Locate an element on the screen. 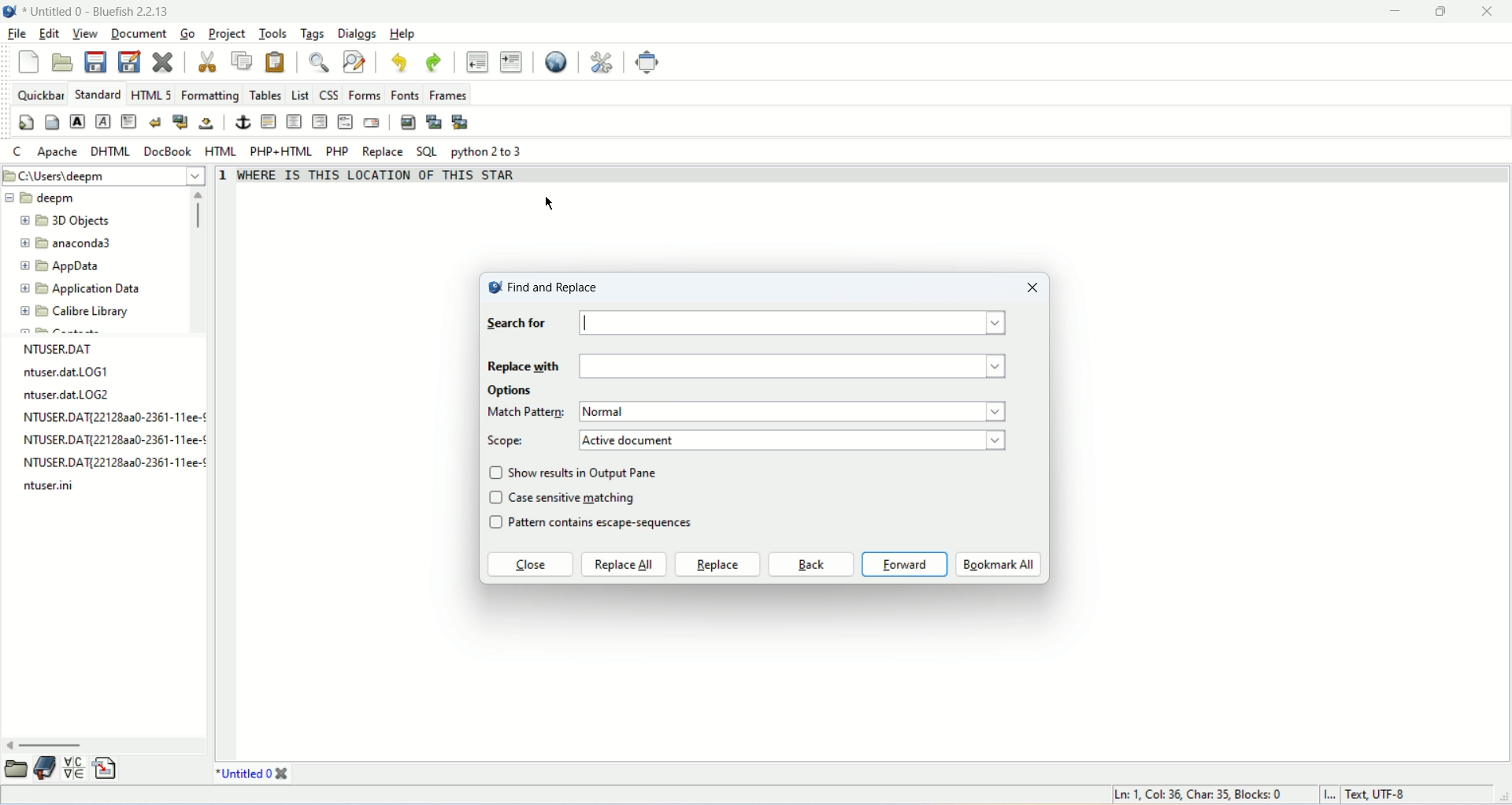 The width and height of the screenshot is (1512, 805). SQL is located at coordinates (426, 152).